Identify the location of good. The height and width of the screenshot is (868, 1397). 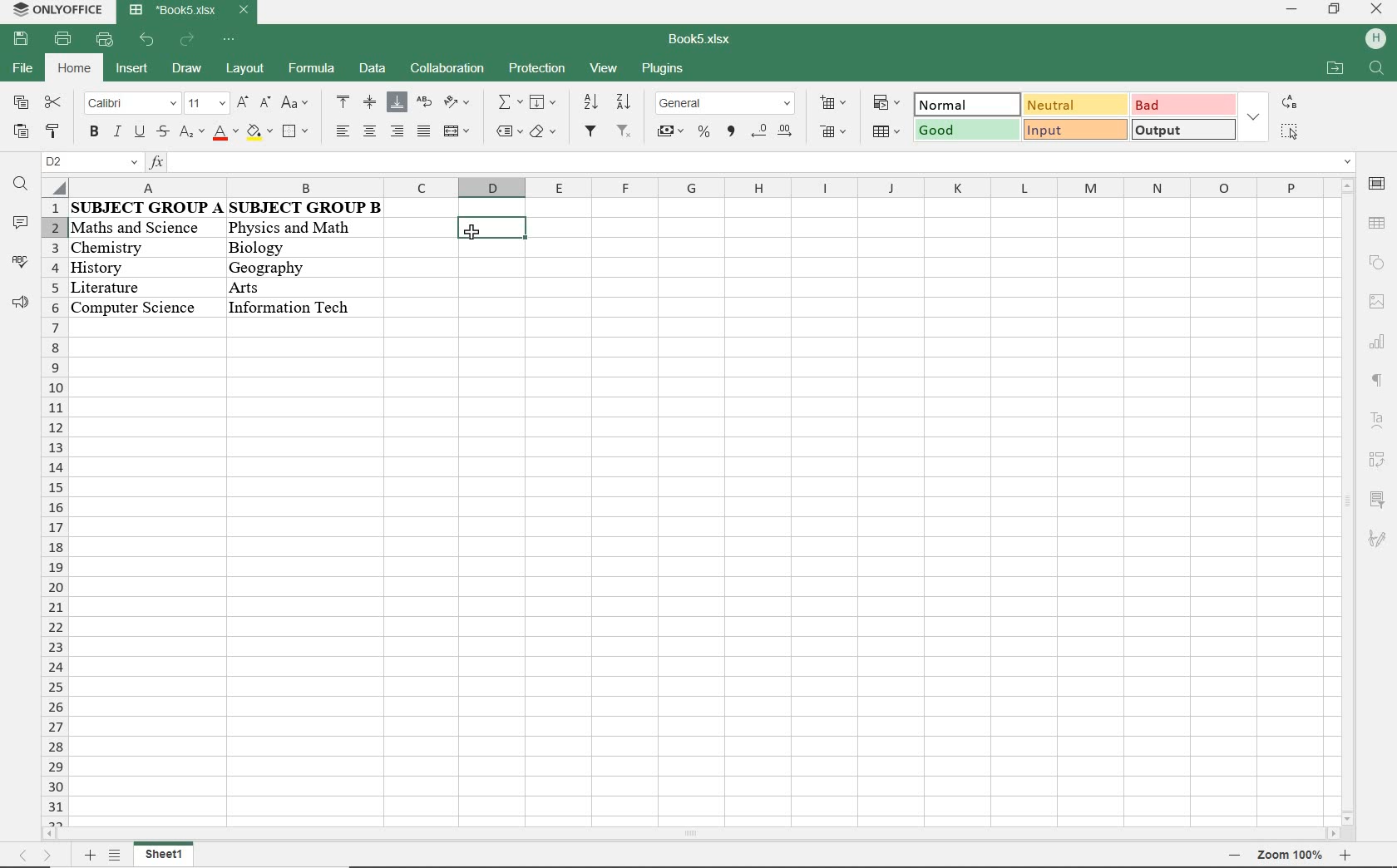
(967, 131).